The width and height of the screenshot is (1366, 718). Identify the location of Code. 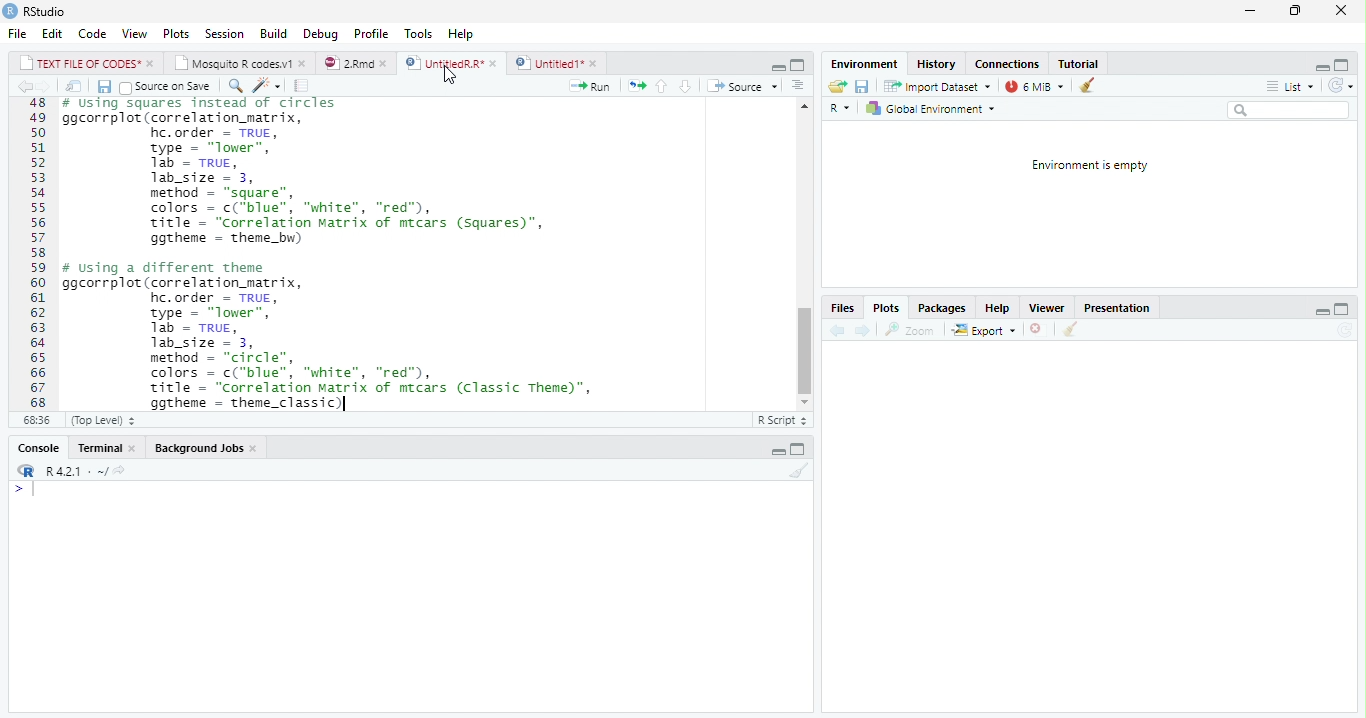
(92, 35).